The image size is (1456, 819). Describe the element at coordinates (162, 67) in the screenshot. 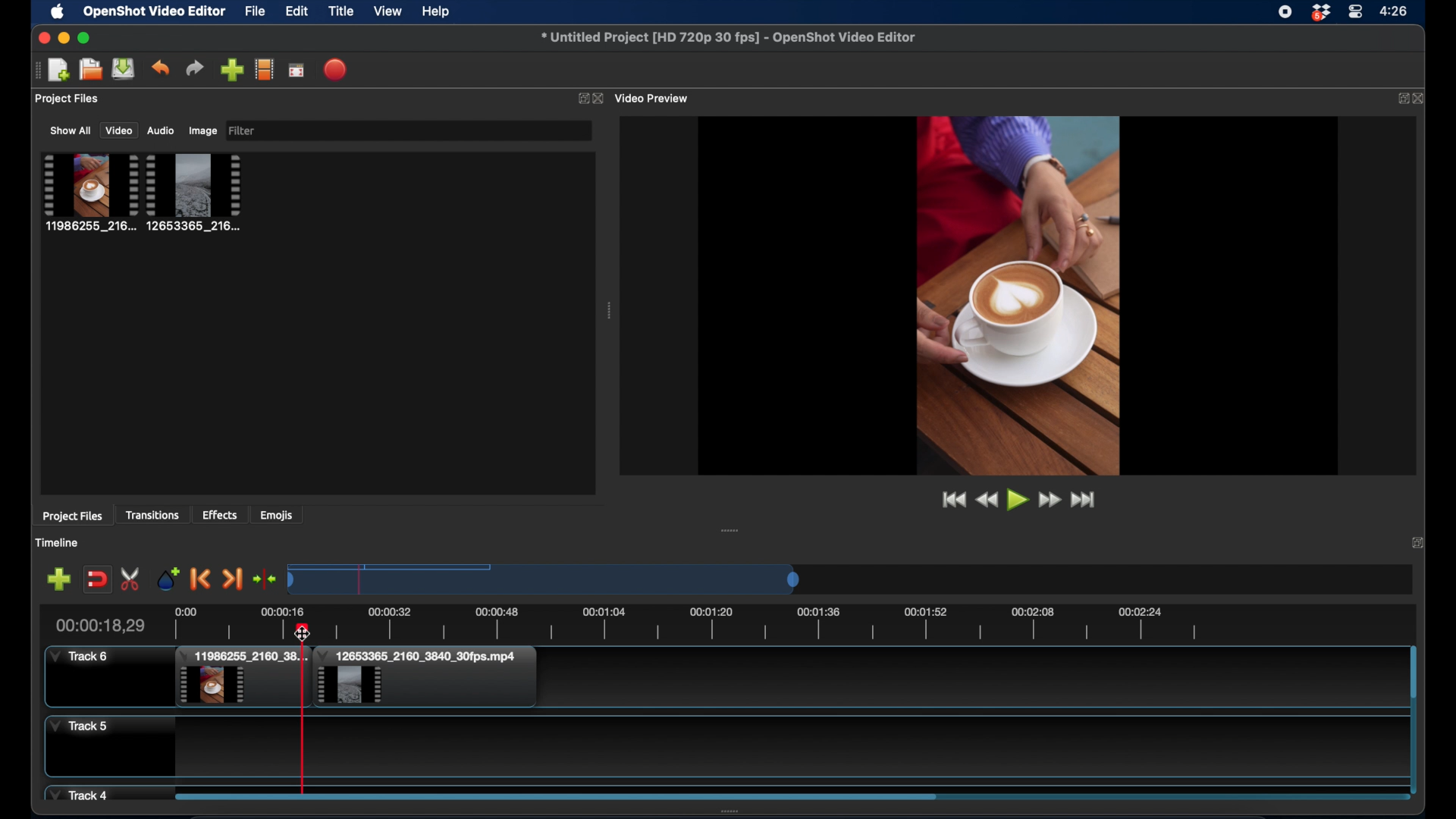

I see `undo` at that location.